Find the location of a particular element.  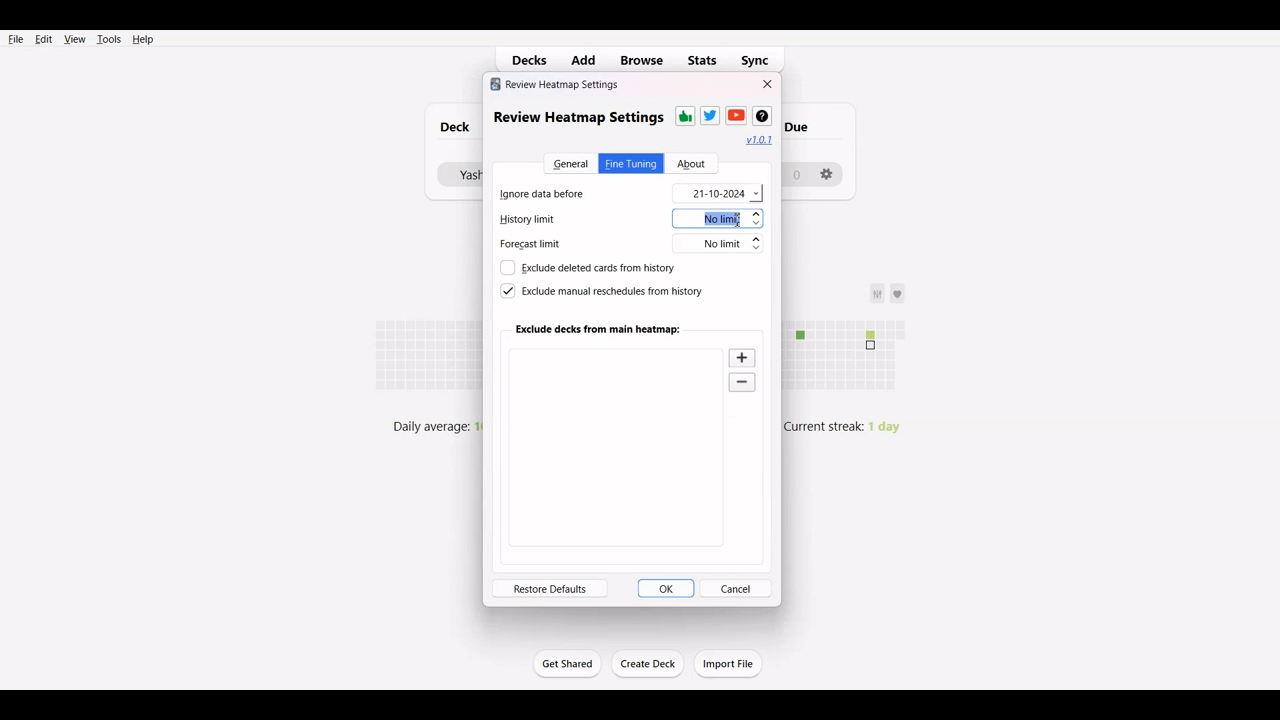

Exclude manual reschedule from history is located at coordinates (600, 291).